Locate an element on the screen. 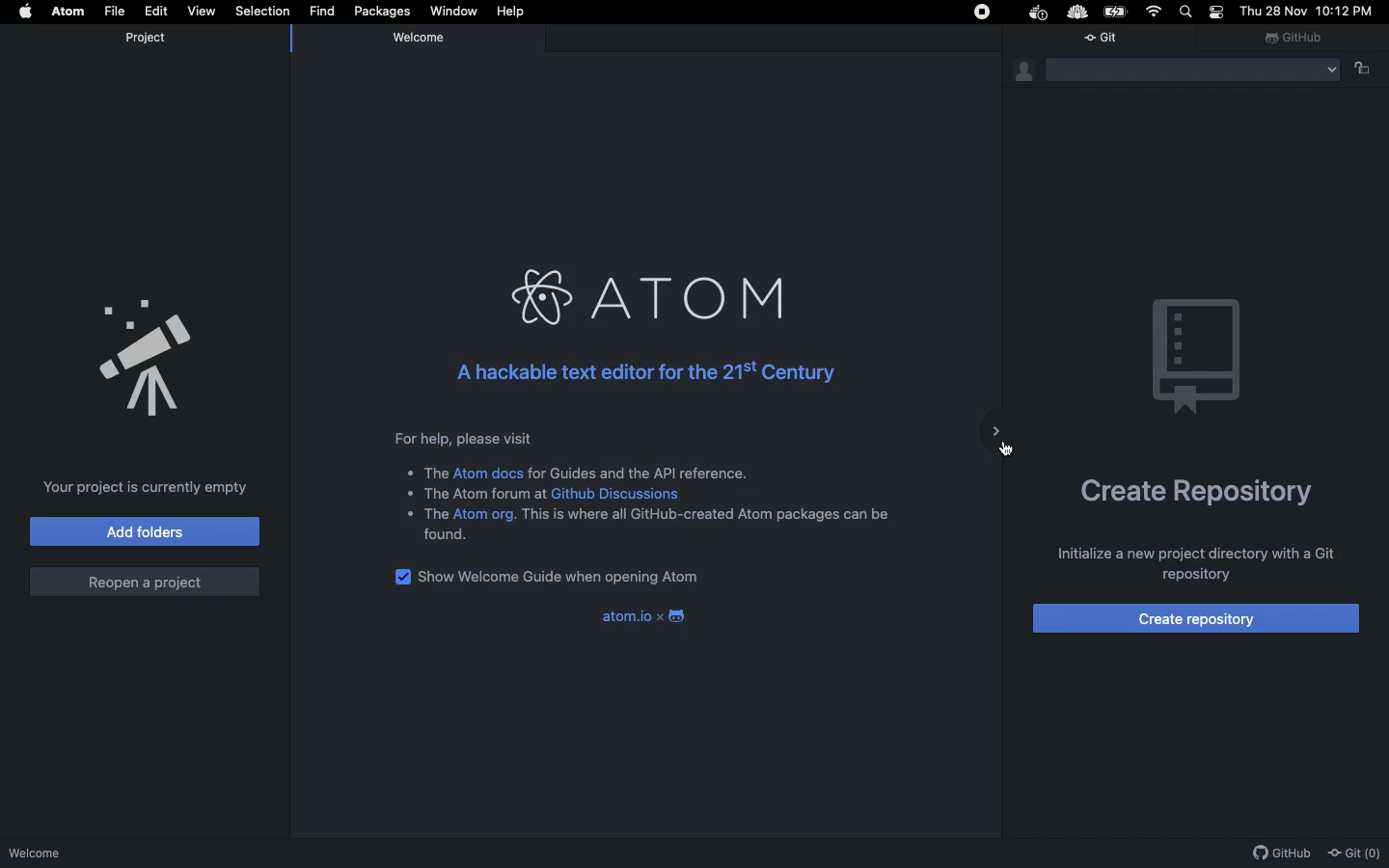  Project is located at coordinates (153, 40).